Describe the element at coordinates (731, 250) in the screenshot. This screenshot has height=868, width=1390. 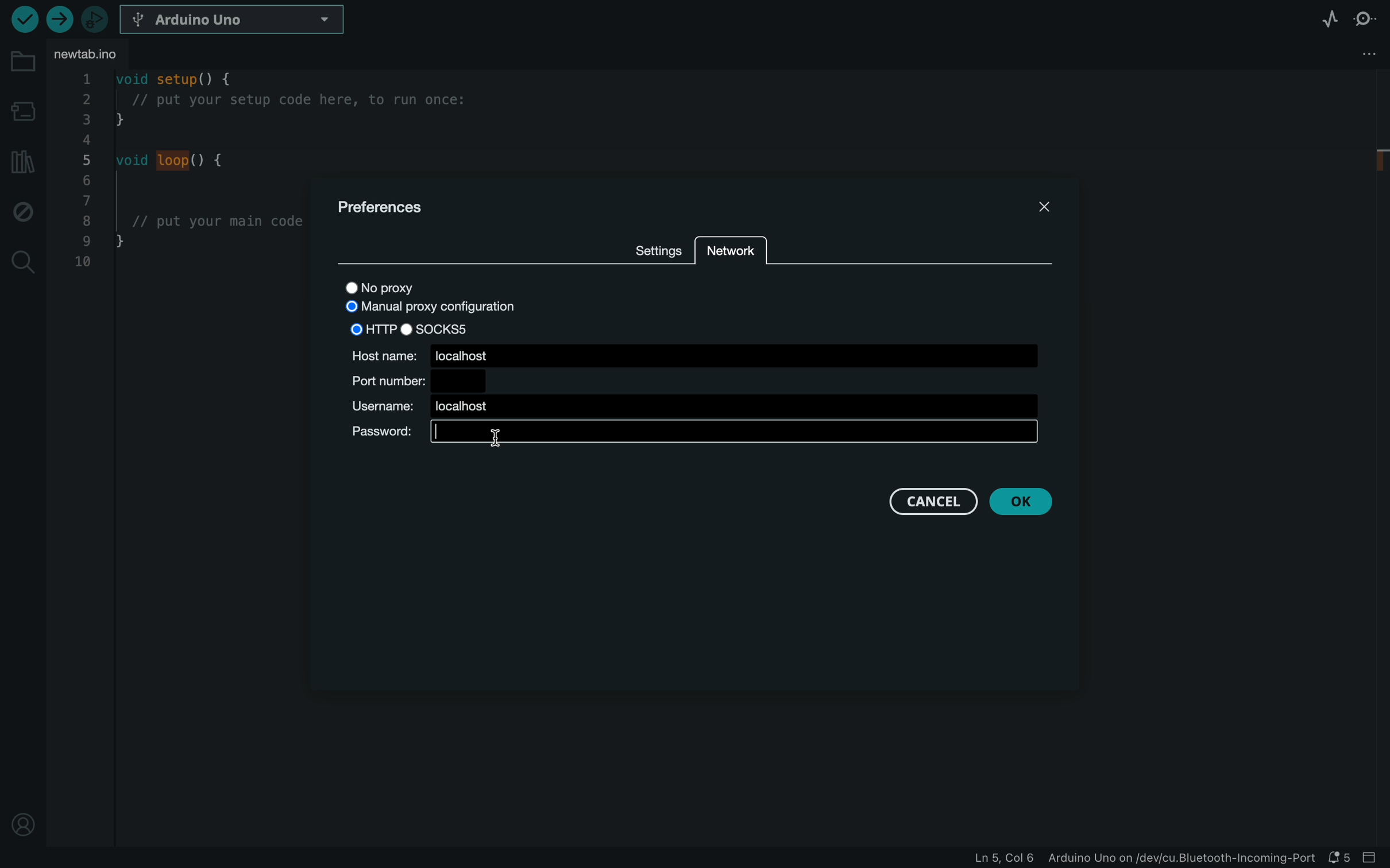
I see `NETWORK` at that location.